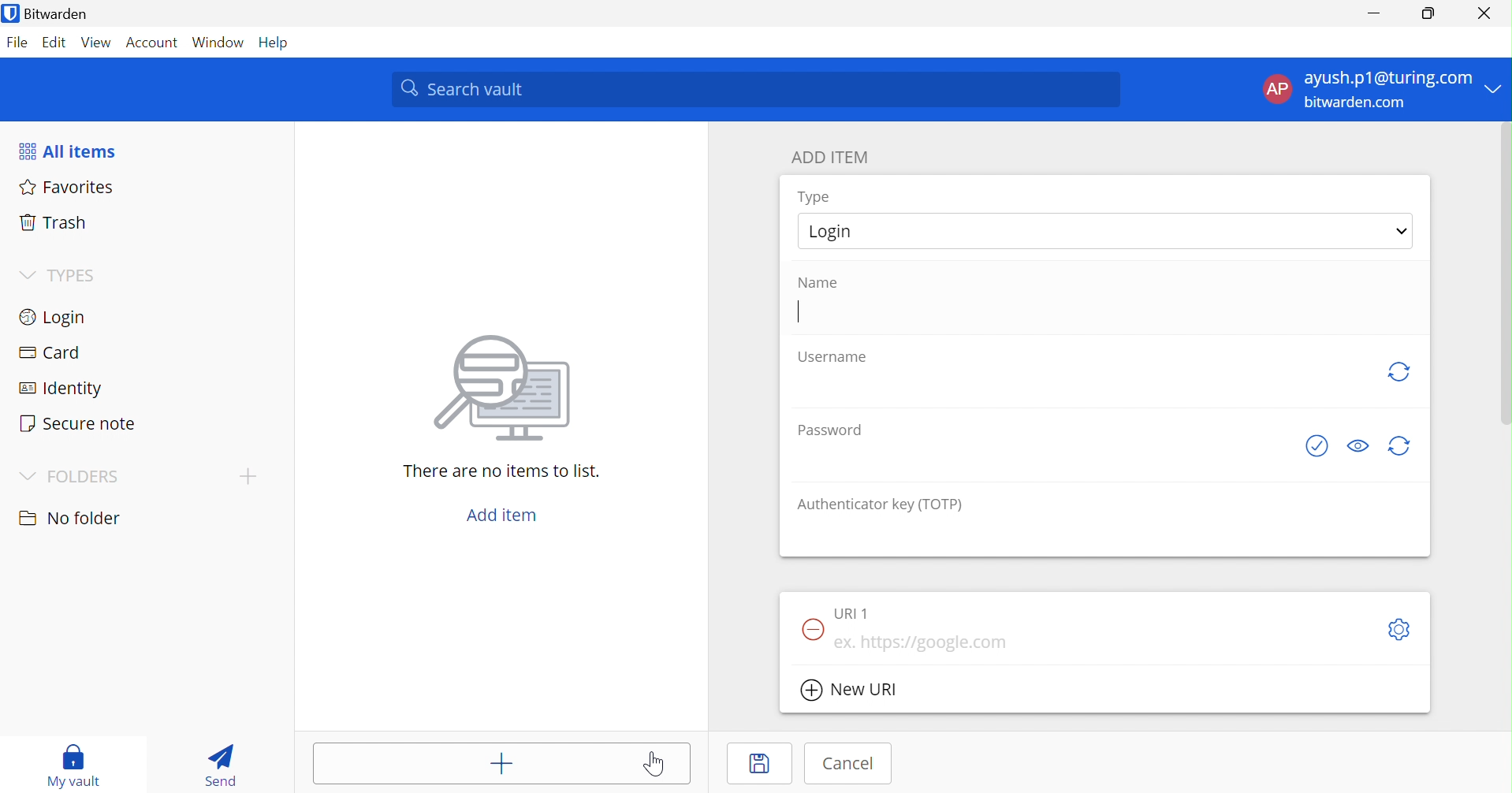 The width and height of the screenshot is (1512, 793). What do you see at coordinates (1506, 274) in the screenshot?
I see `scrollbar` at bounding box center [1506, 274].